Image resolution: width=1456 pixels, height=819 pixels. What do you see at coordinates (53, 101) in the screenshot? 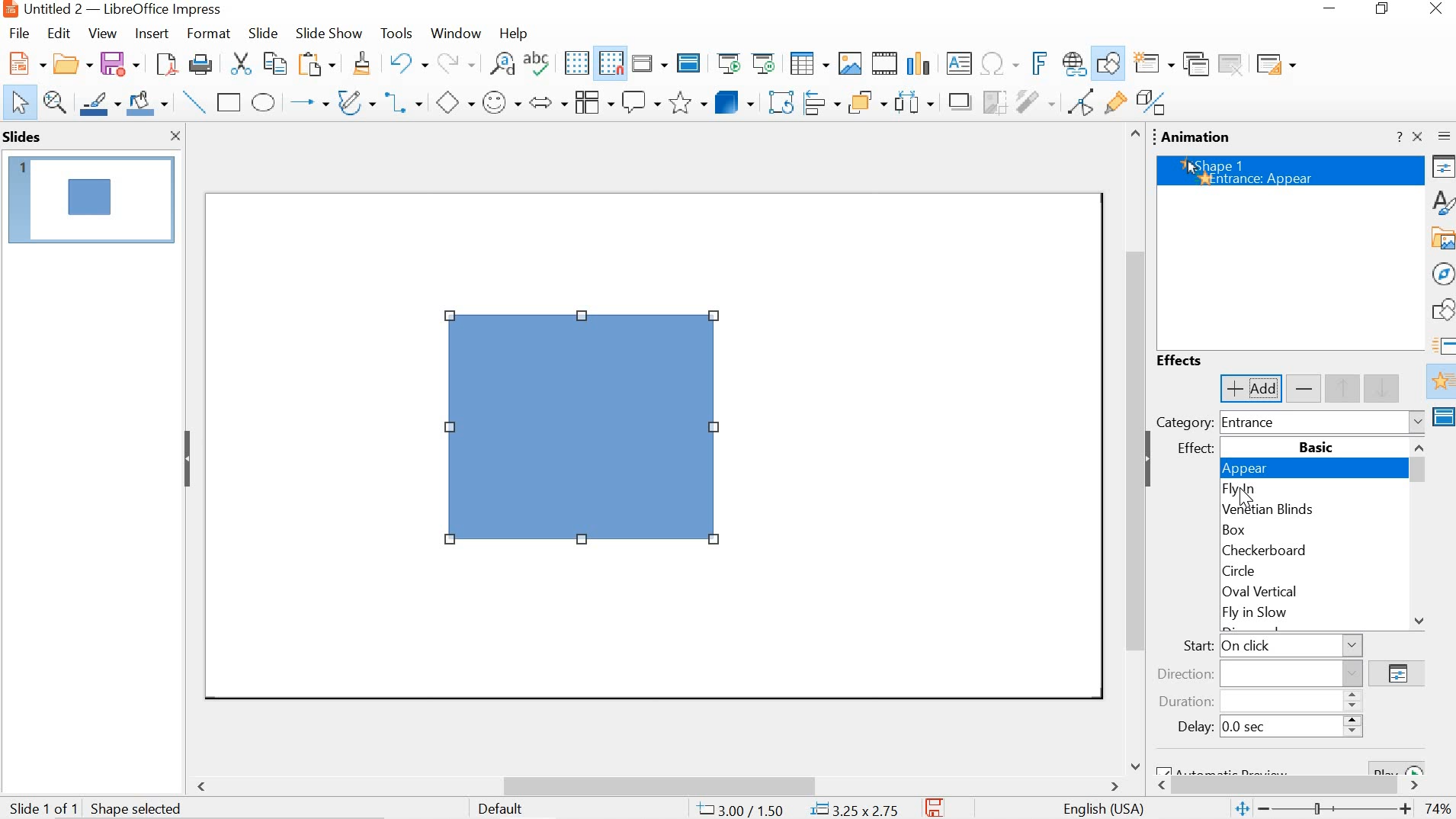
I see `zoom & pan` at bounding box center [53, 101].